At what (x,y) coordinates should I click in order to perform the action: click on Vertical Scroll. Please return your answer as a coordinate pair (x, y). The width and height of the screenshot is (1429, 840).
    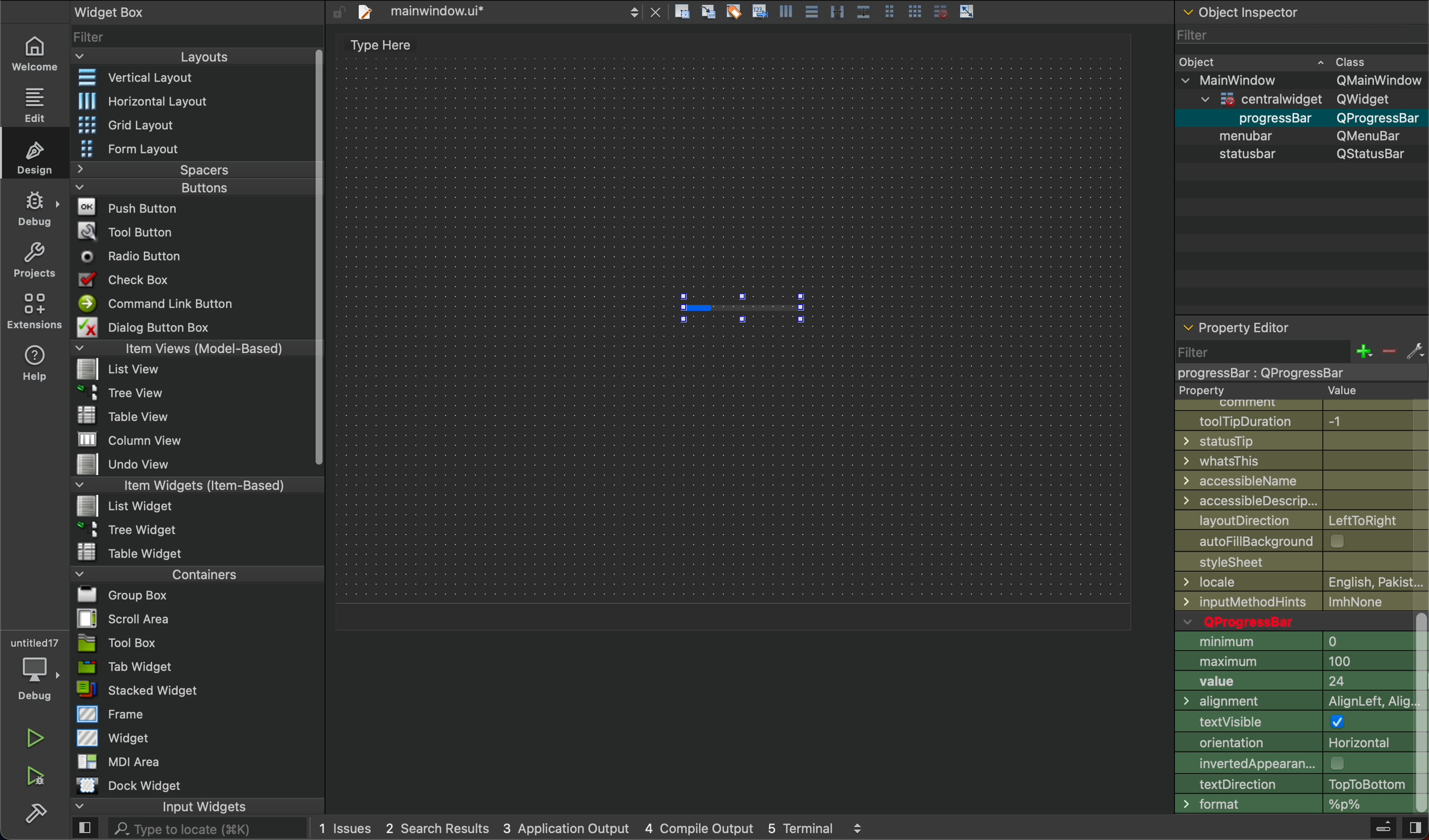
    Looking at the image, I should click on (316, 258).